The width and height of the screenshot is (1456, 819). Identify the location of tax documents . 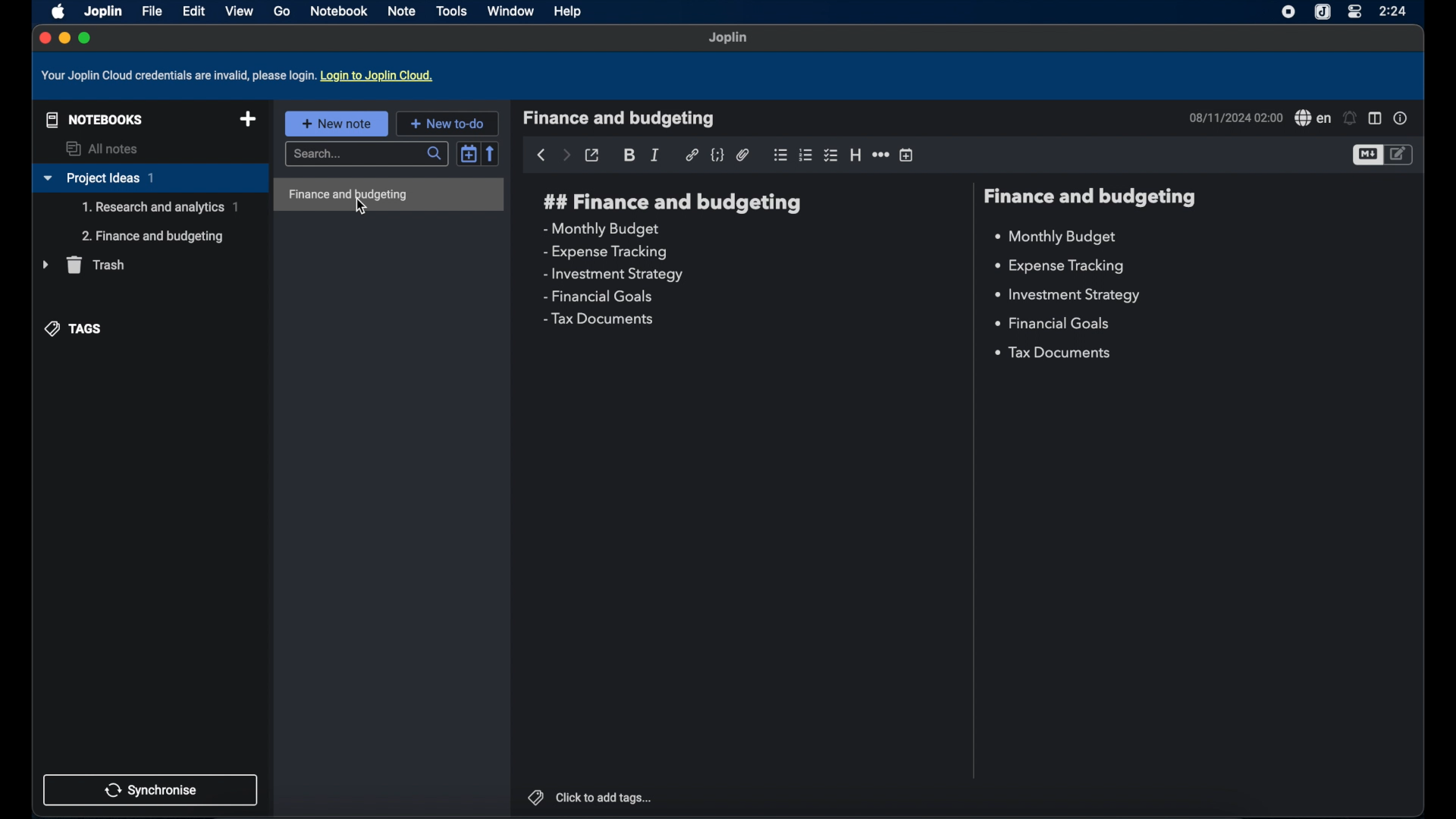
(598, 318).